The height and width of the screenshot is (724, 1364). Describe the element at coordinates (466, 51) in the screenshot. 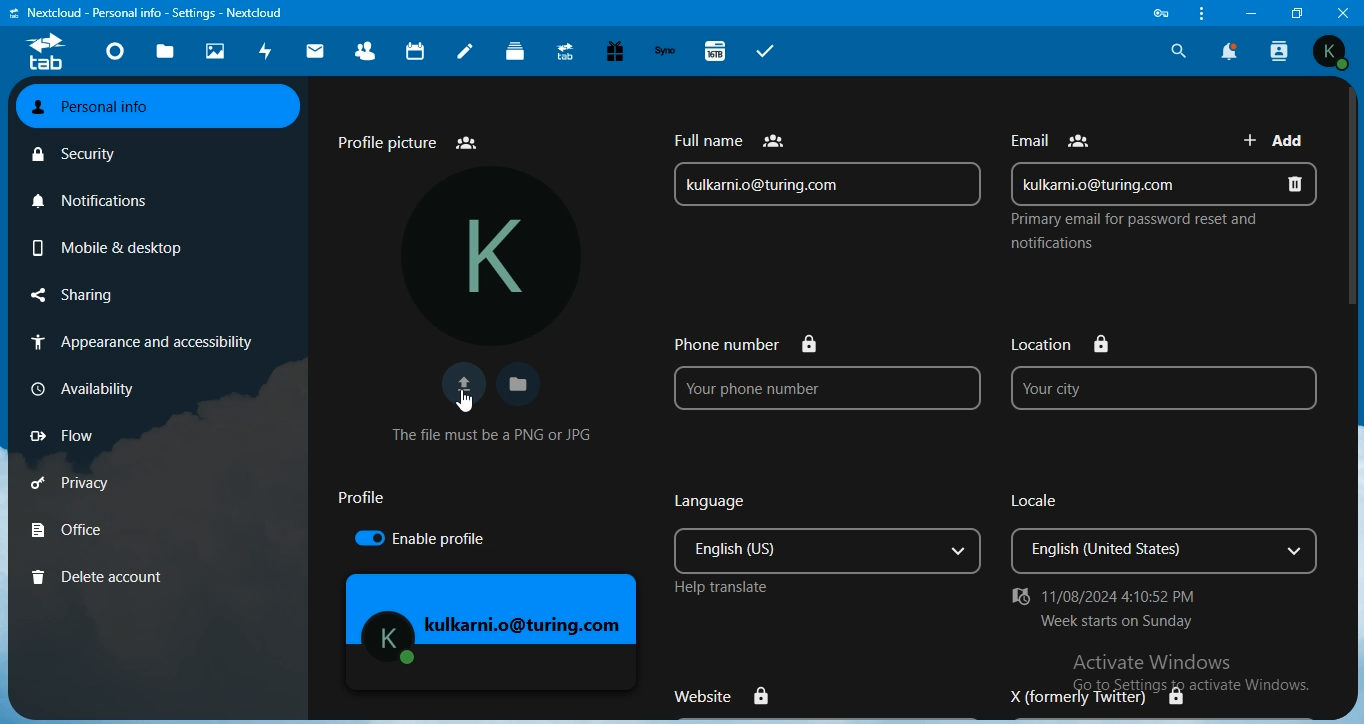

I see `notes` at that location.